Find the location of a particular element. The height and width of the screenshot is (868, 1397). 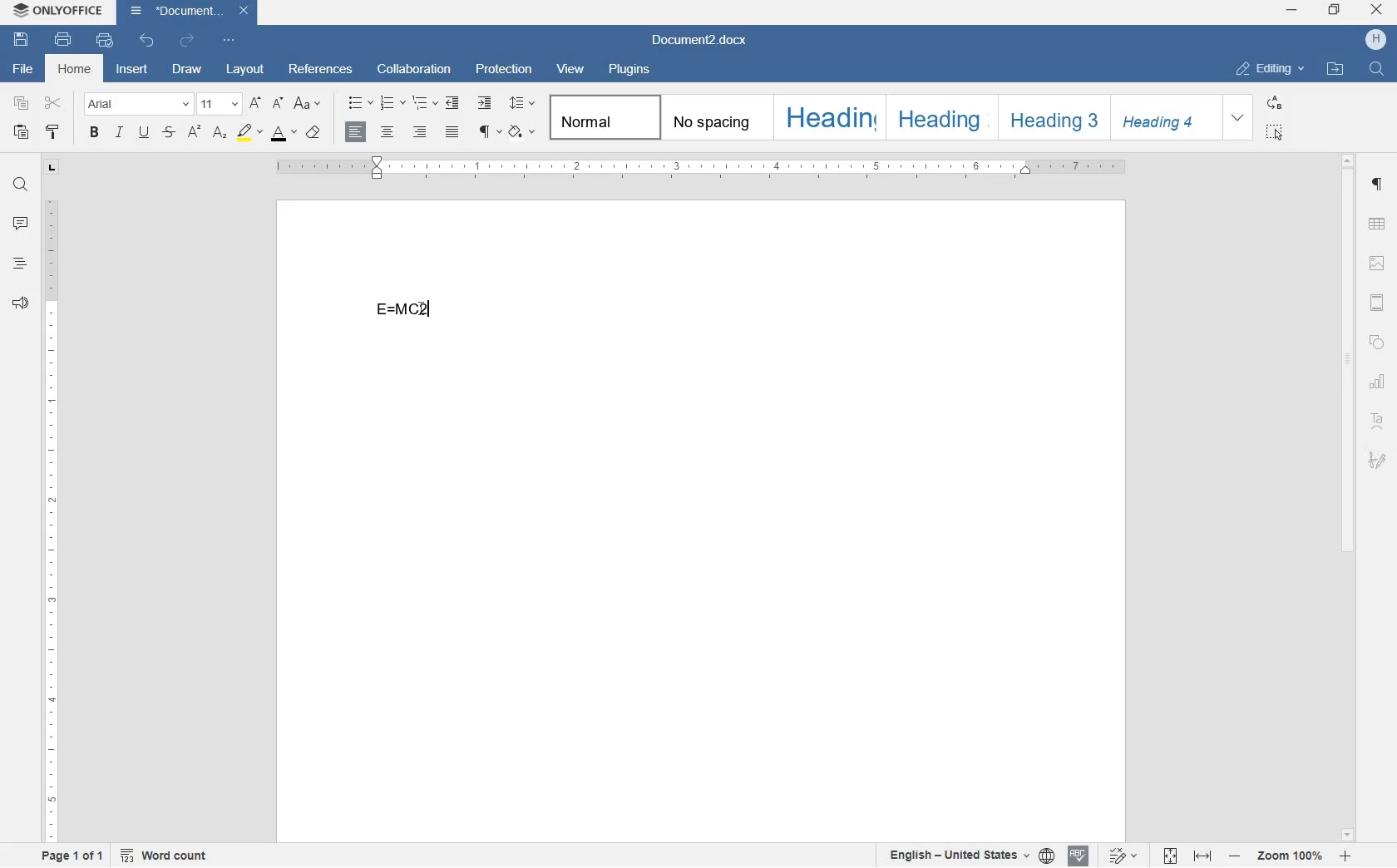

open file location is located at coordinates (1335, 68).